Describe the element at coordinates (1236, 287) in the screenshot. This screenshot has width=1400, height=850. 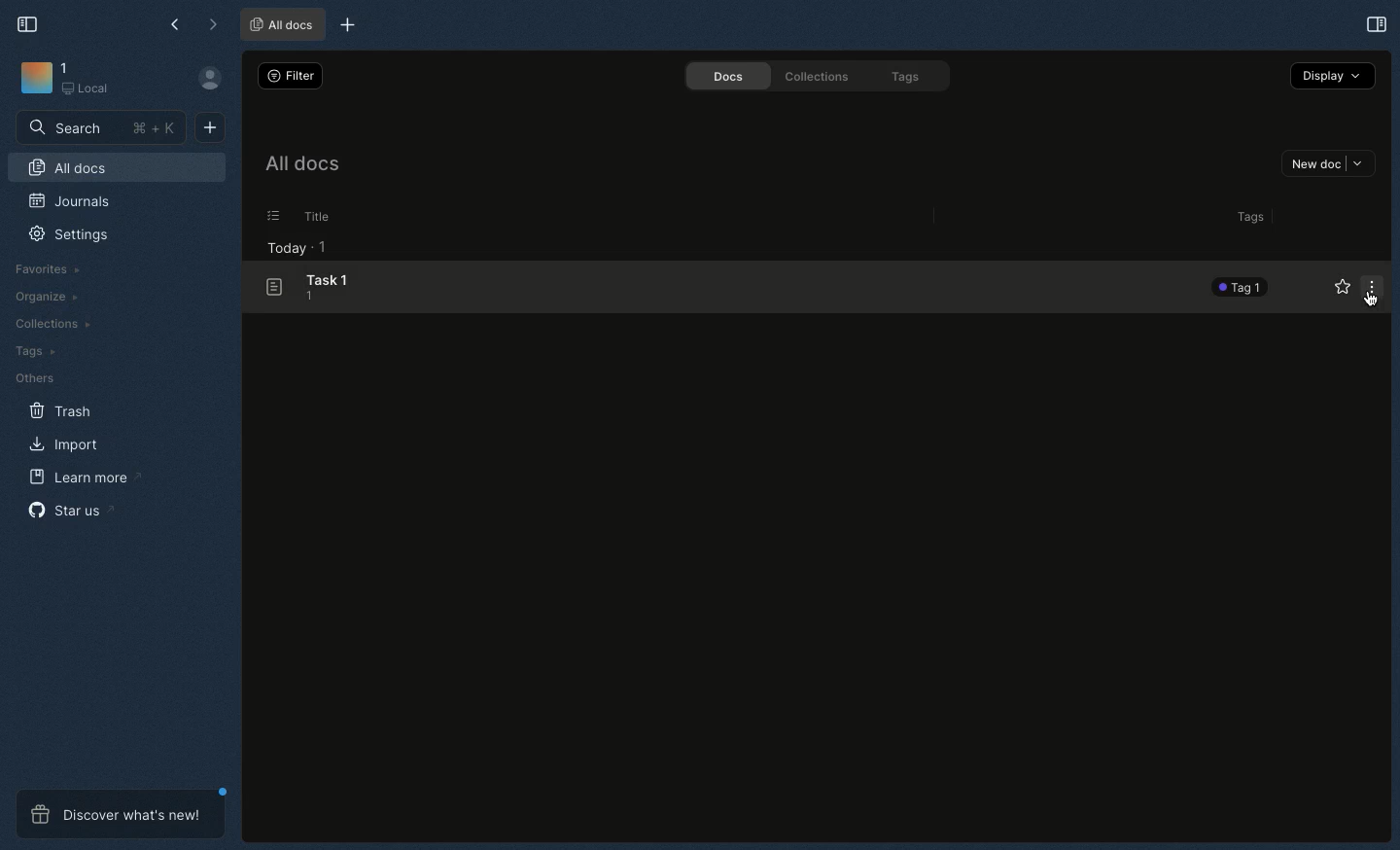
I see `Tag 1` at that location.